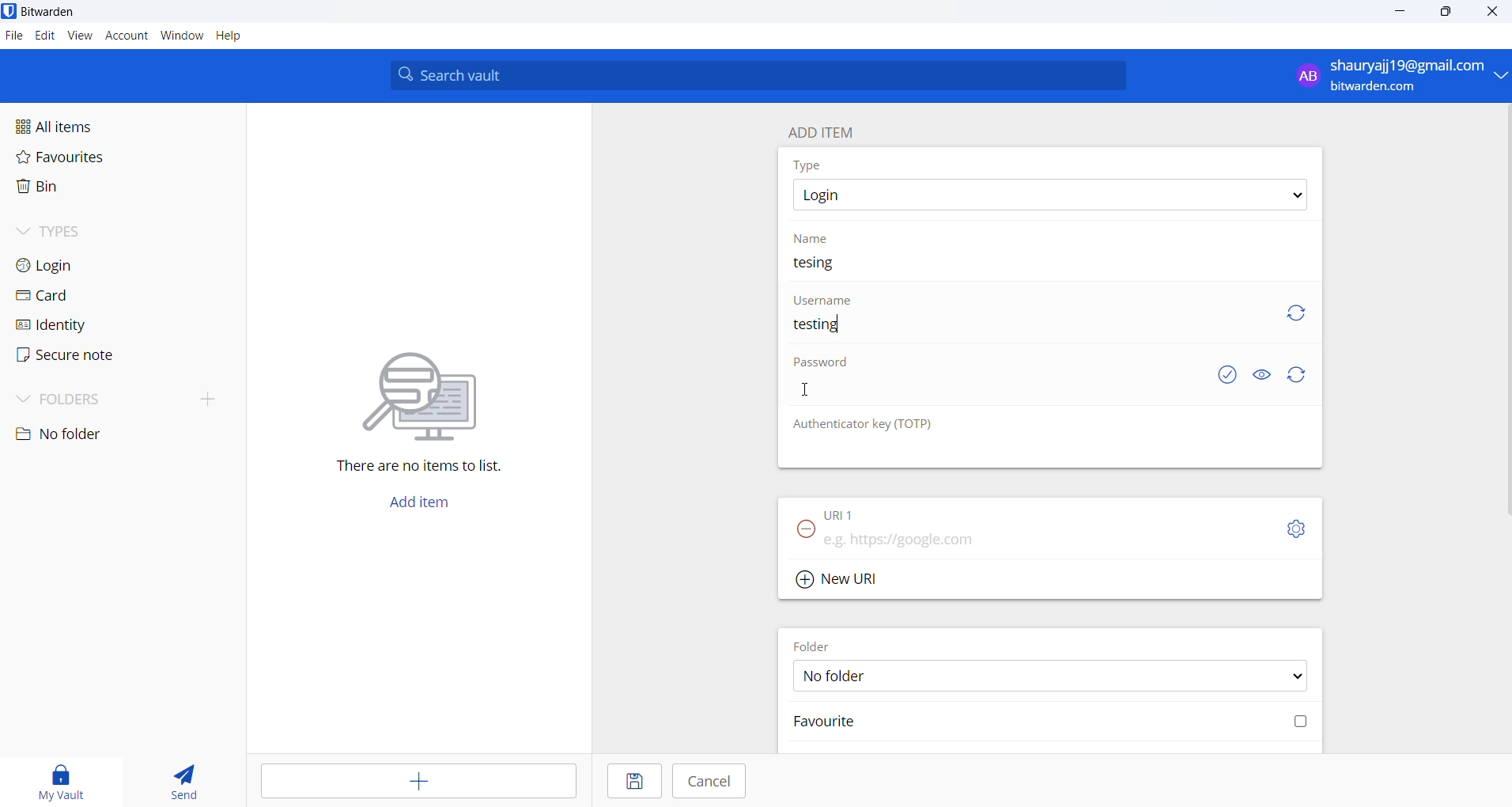 The height and width of the screenshot is (807, 1512). Describe the element at coordinates (1304, 316) in the screenshot. I see `Refresh ` at that location.